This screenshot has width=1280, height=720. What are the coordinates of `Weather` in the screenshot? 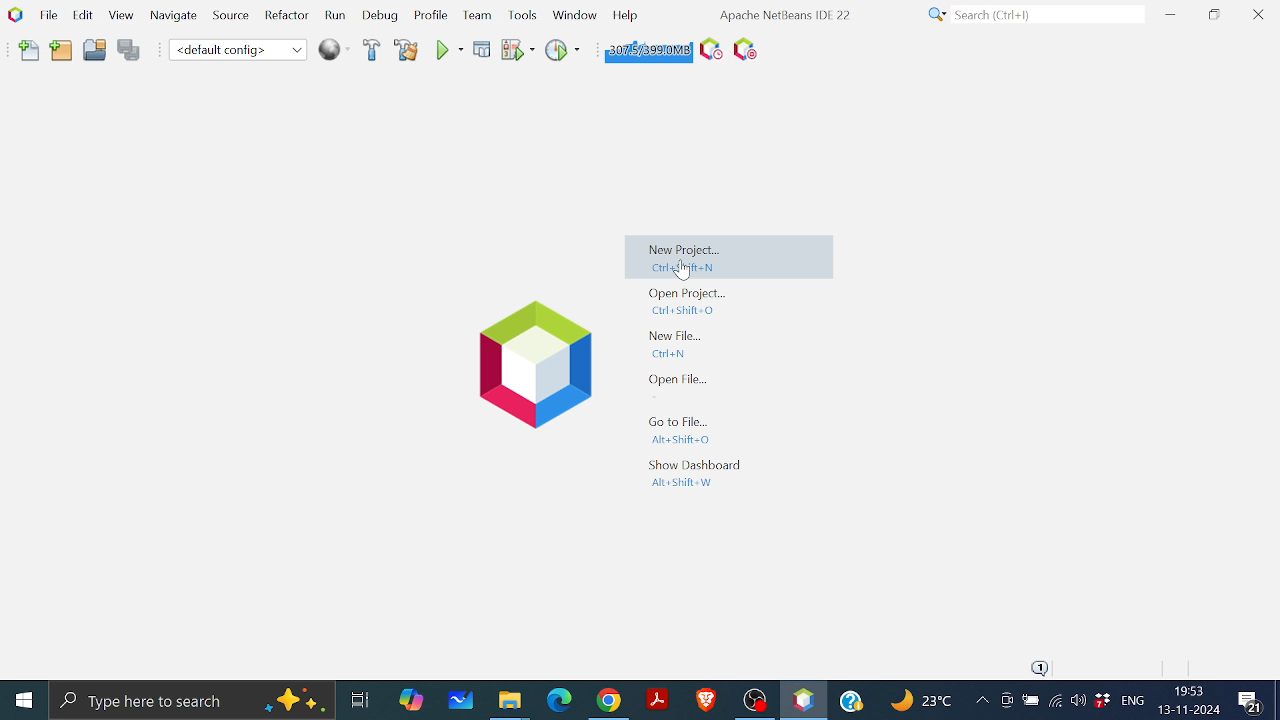 It's located at (924, 703).